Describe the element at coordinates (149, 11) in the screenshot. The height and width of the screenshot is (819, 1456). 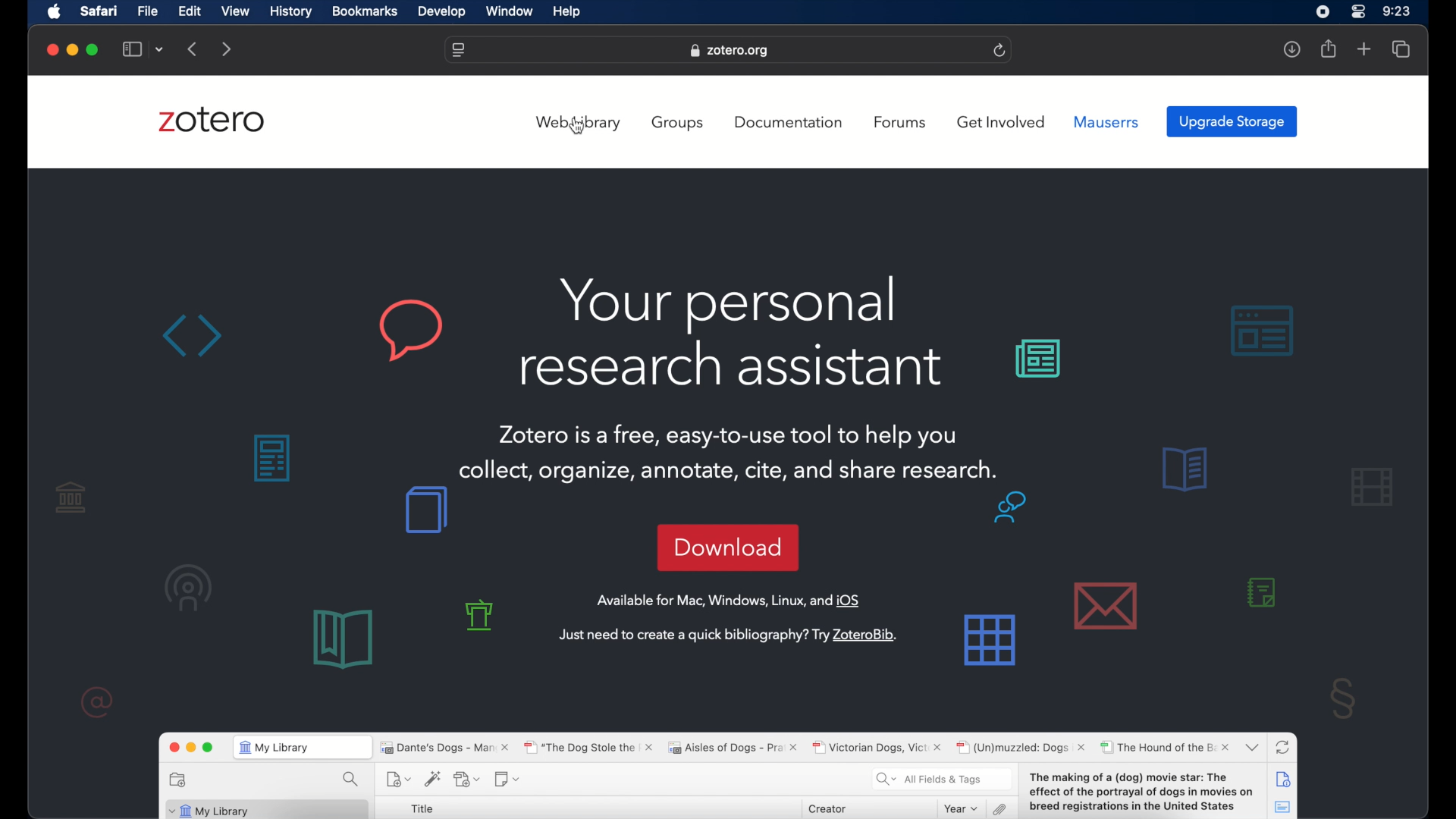
I see `file` at that location.